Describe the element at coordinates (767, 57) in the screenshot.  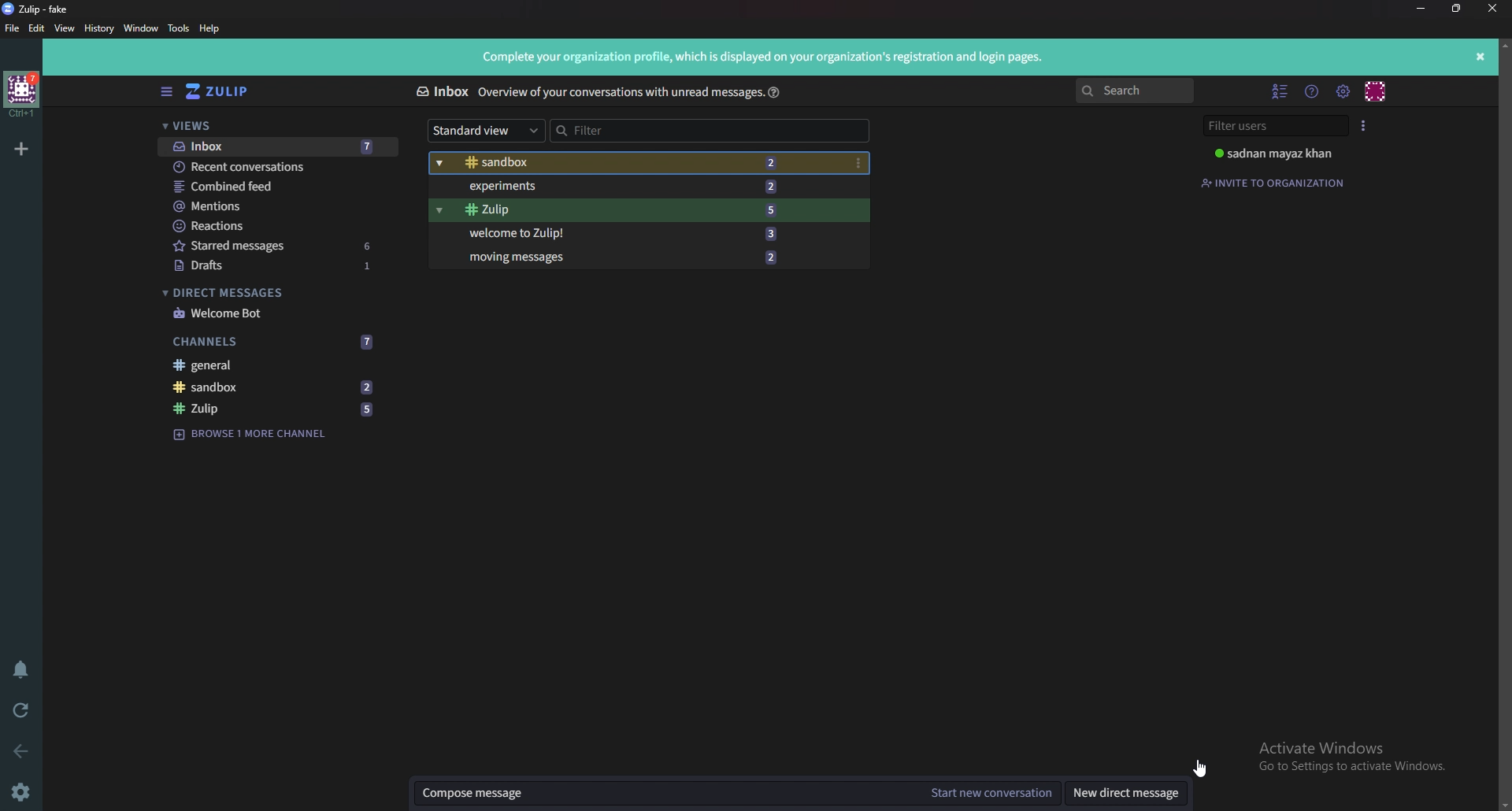
I see `info` at that location.